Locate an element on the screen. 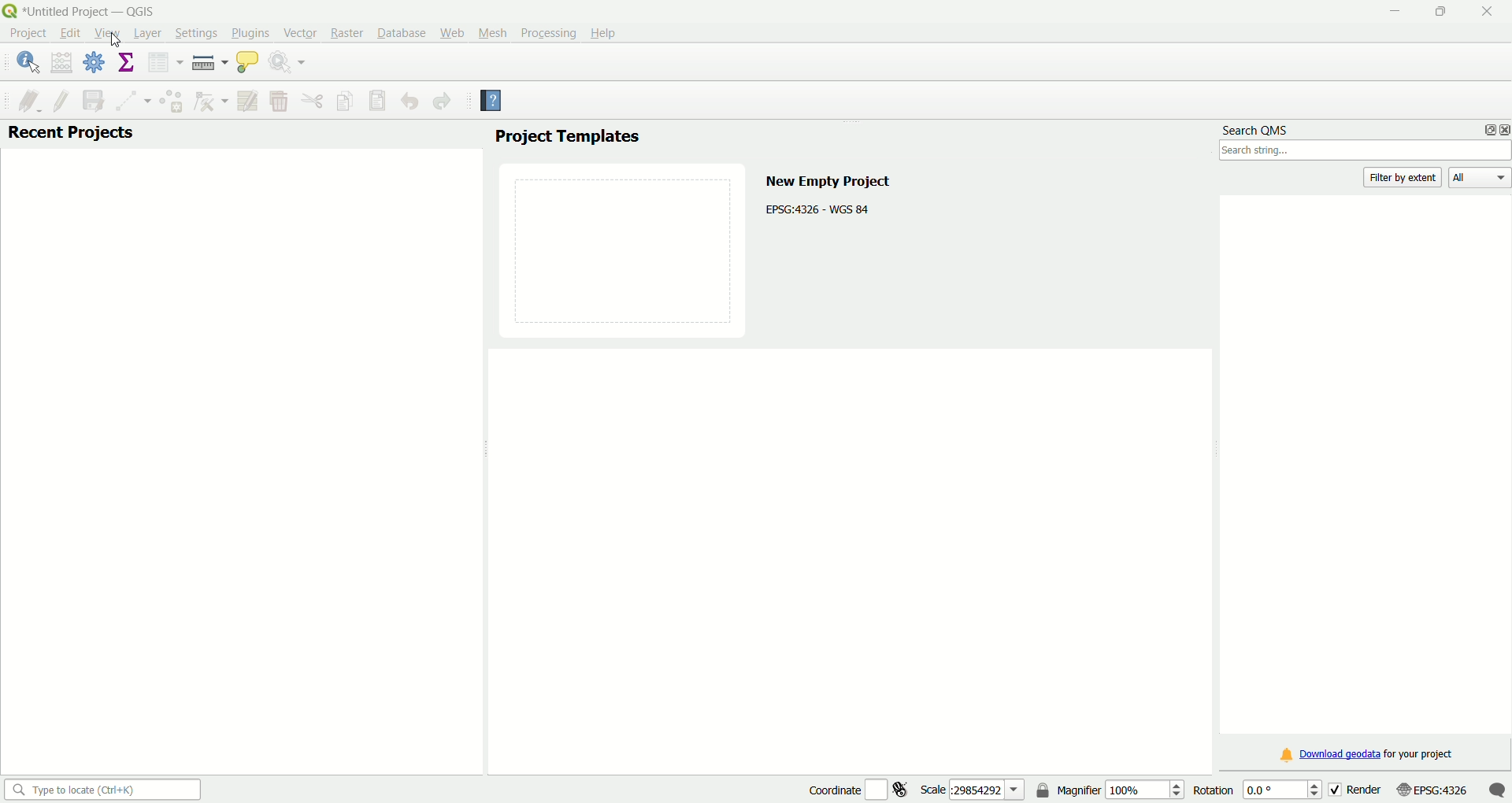  search bar is located at coordinates (1366, 152).